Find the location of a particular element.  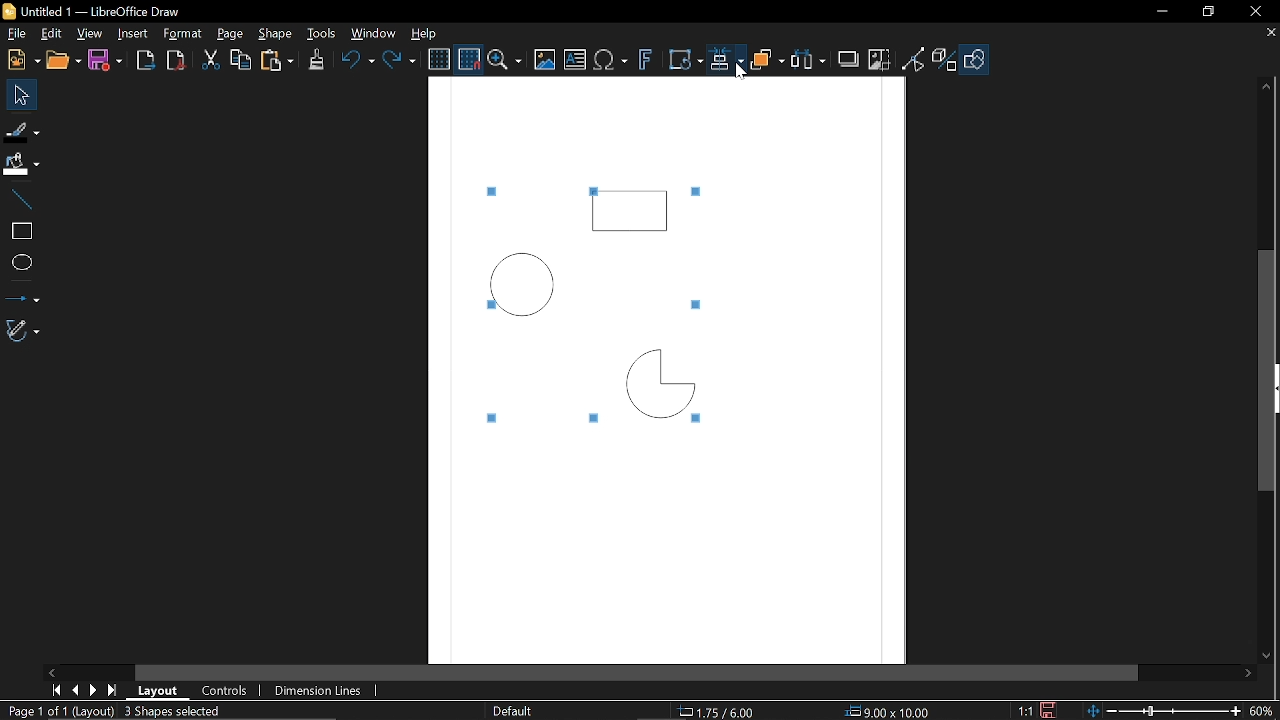

Tiny square marked around the selected objects is located at coordinates (588, 191).